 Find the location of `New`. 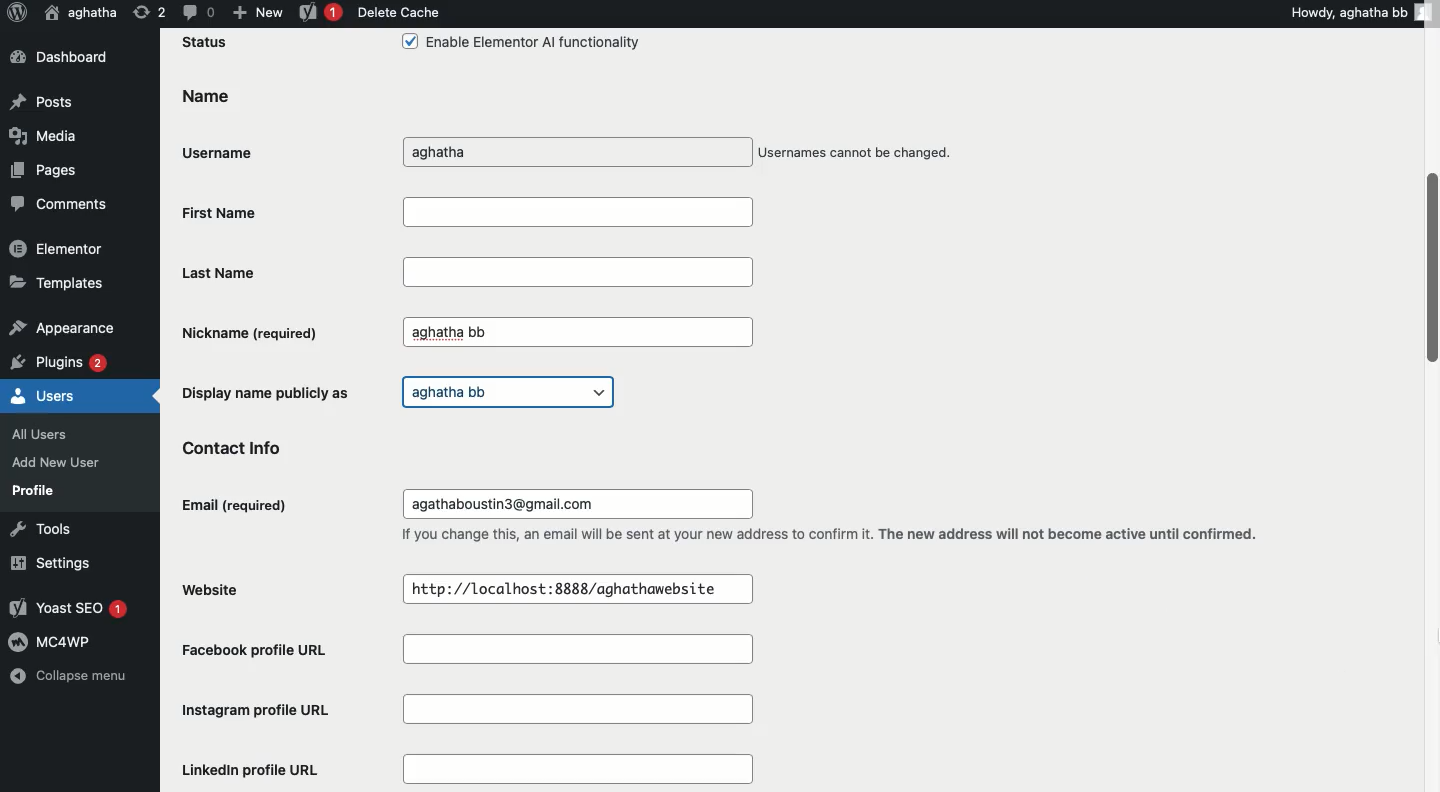

New is located at coordinates (257, 11).